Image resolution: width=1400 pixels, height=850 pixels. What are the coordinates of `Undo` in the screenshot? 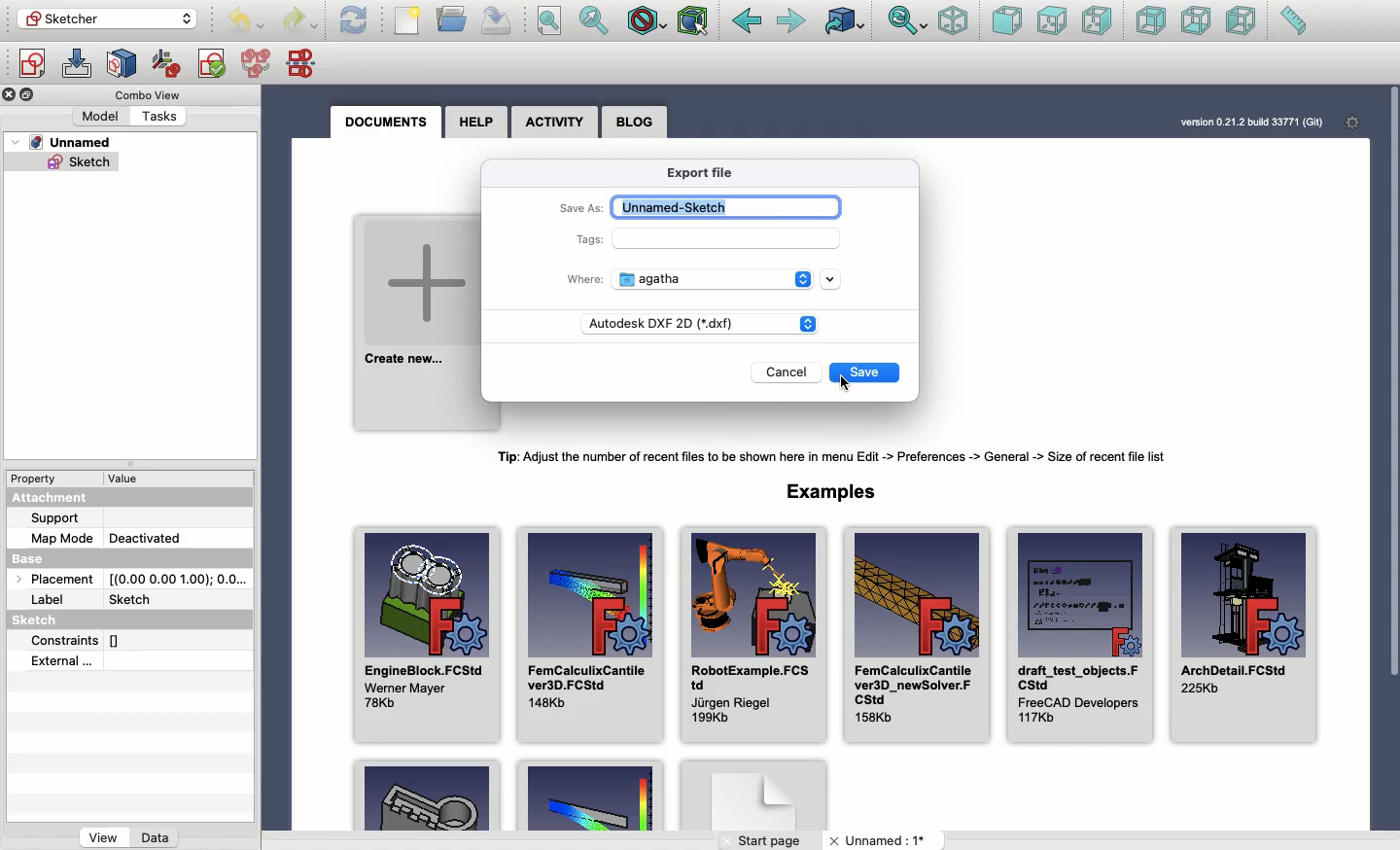 It's located at (301, 20).